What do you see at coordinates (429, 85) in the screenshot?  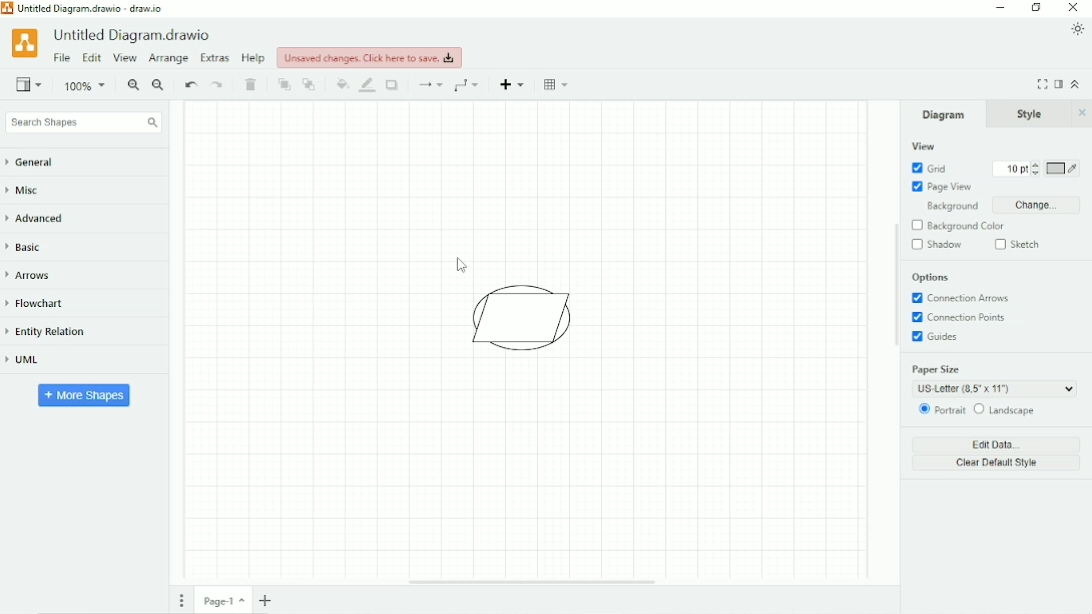 I see `Connection` at bounding box center [429, 85].